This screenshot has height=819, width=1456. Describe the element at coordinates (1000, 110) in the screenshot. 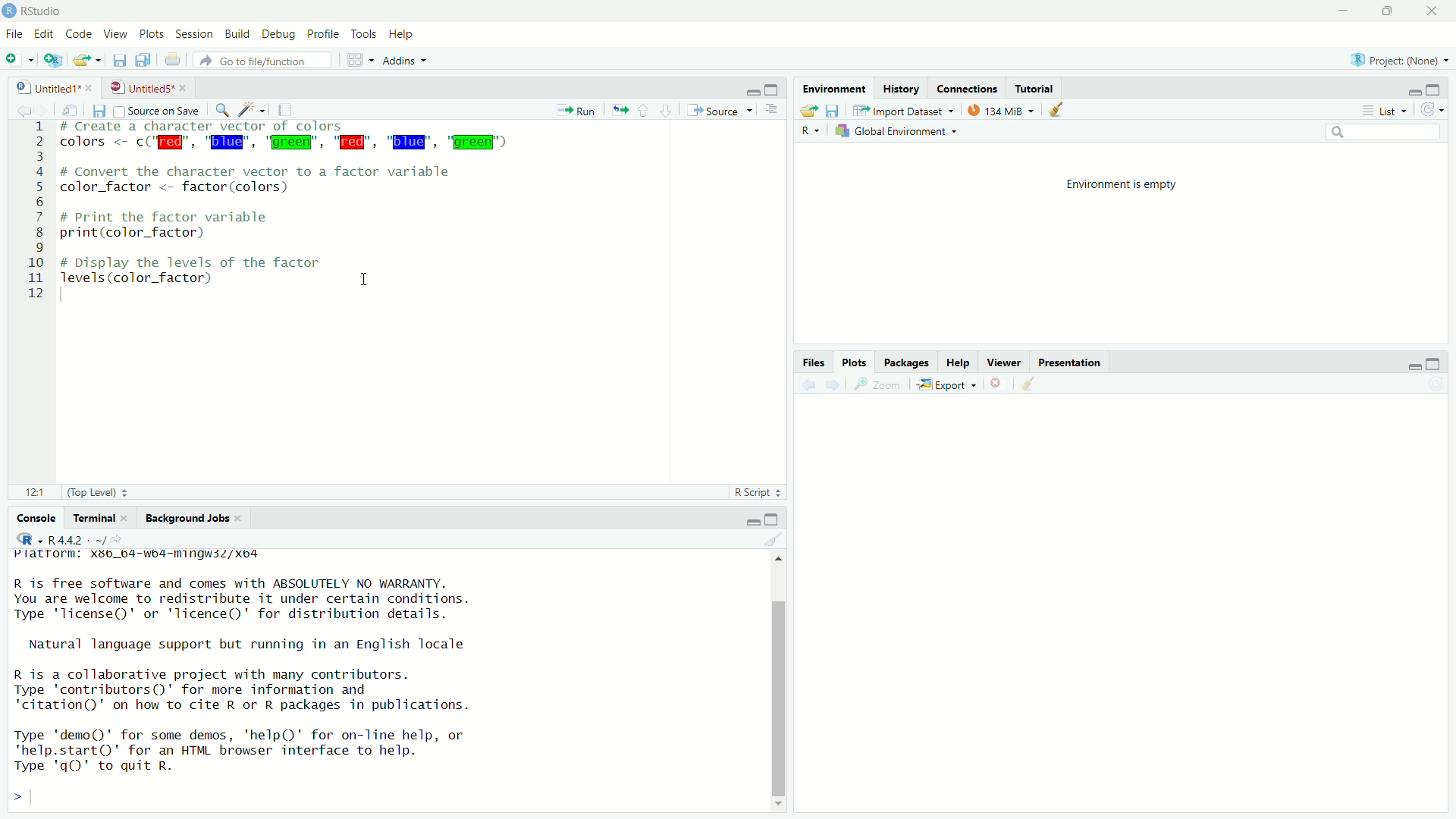

I see `134 MiB` at that location.